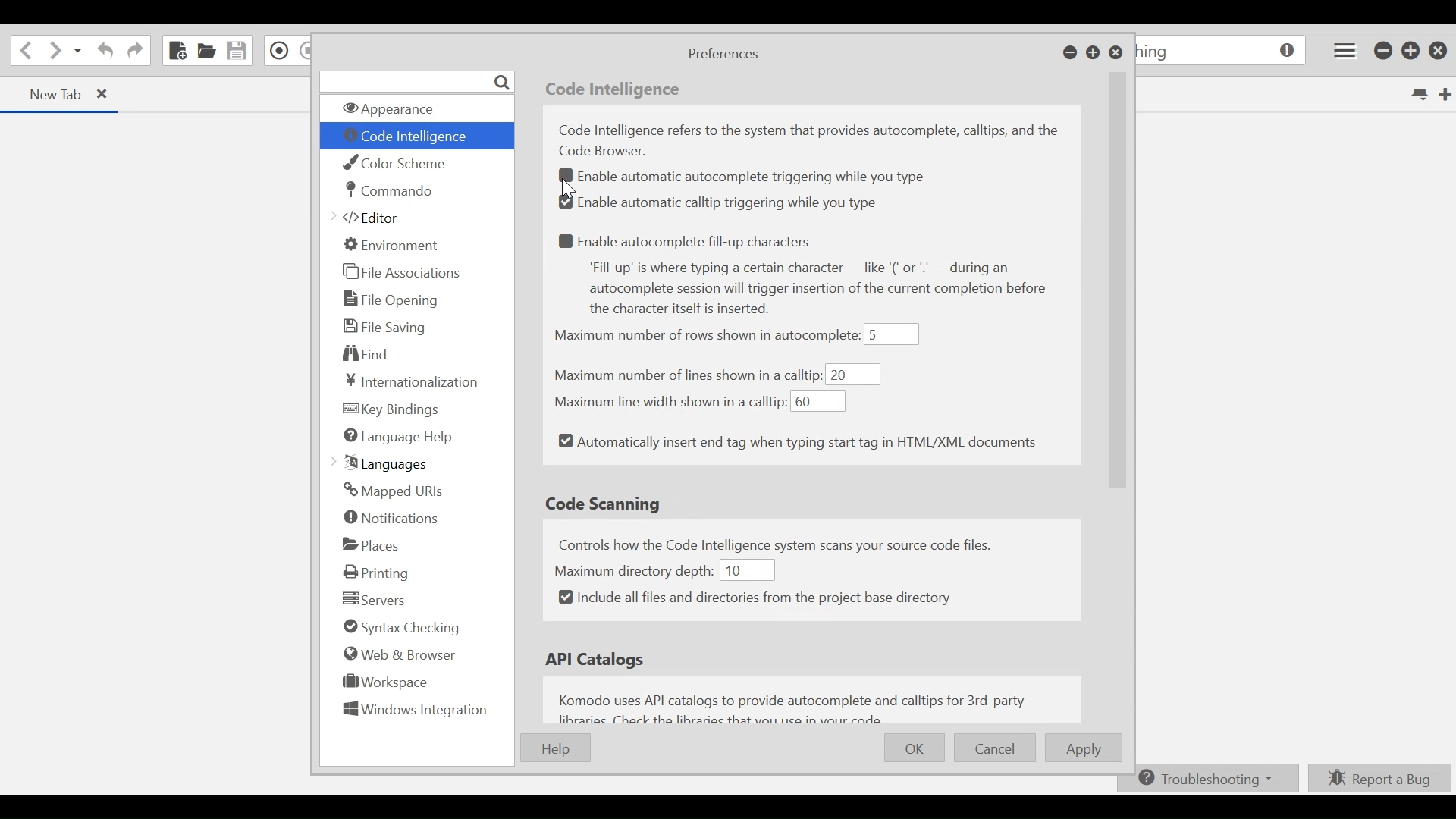  Describe the element at coordinates (606, 504) in the screenshot. I see `Code Scanning` at that location.